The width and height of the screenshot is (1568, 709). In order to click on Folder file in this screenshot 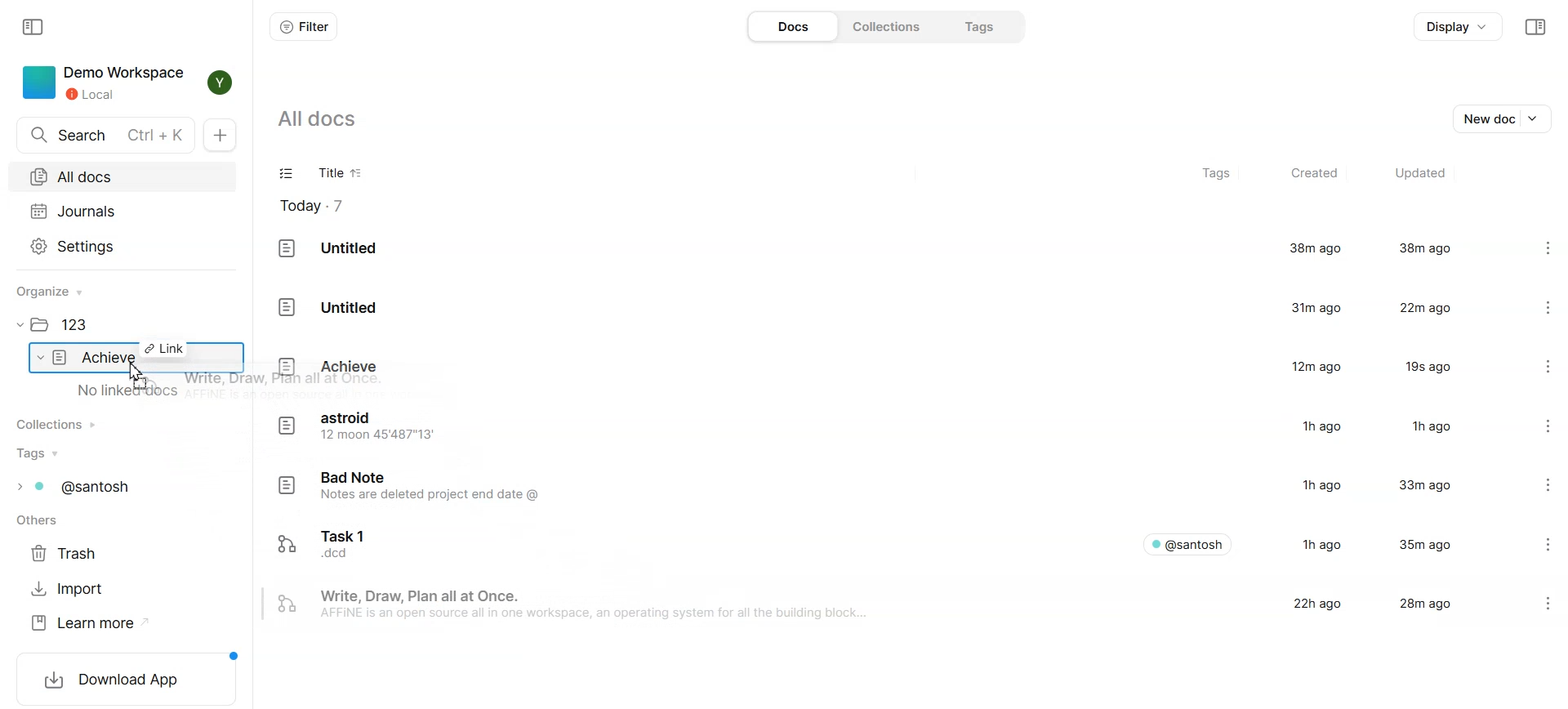, I will do `click(68, 326)`.